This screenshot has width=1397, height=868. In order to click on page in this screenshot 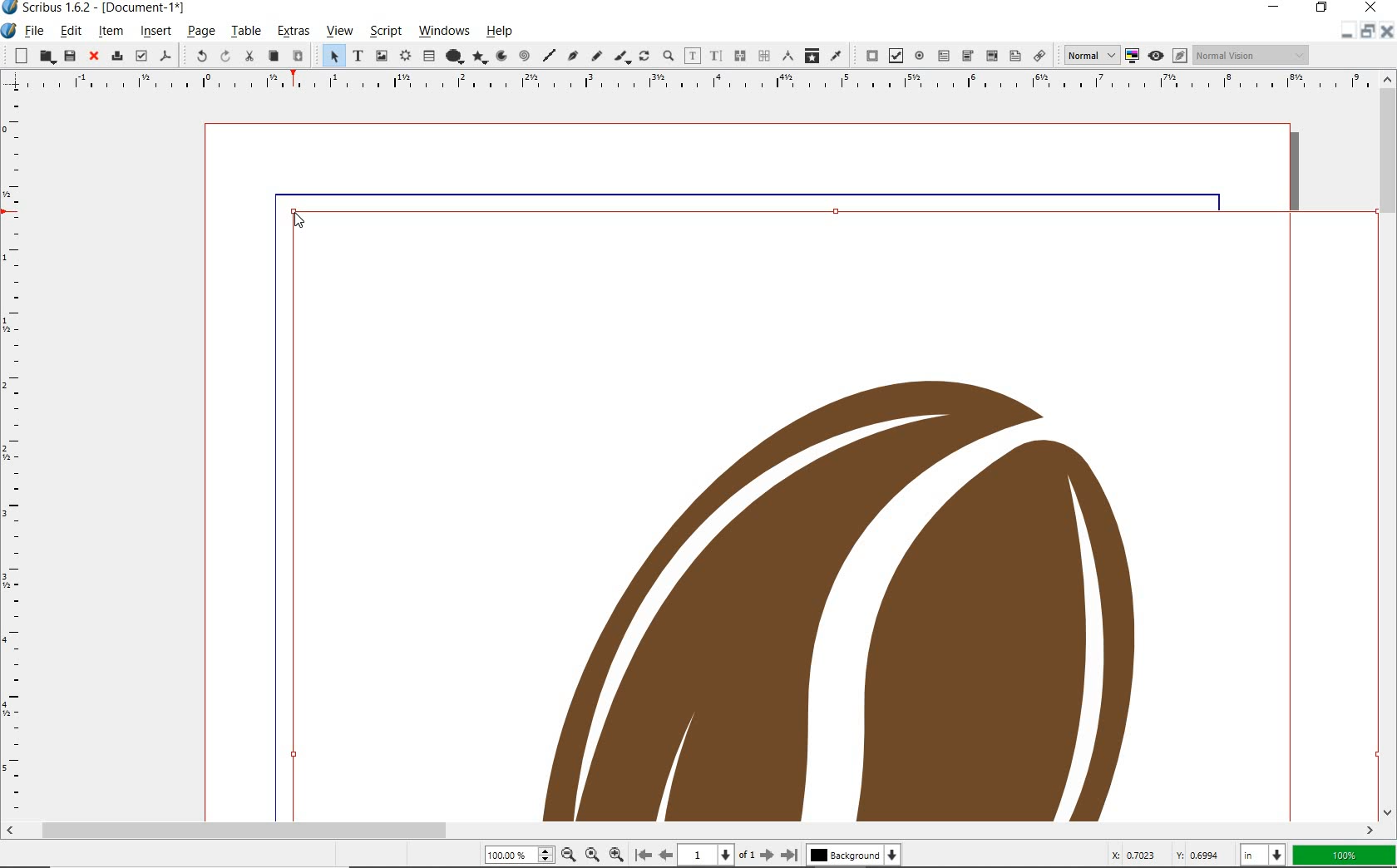, I will do `click(200, 32)`.